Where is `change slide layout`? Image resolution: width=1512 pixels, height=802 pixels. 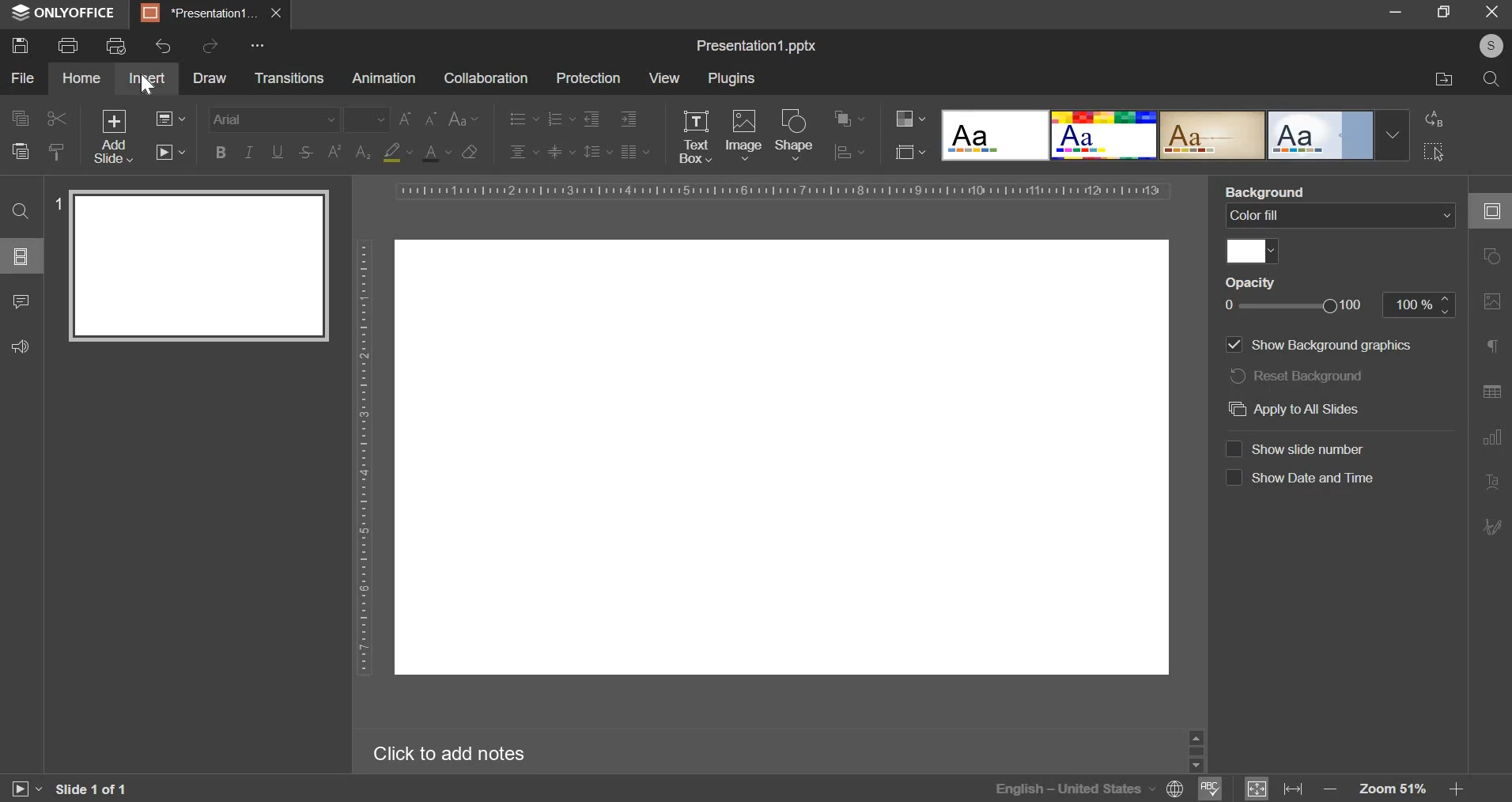 change slide layout is located at coordinates (171, 118).